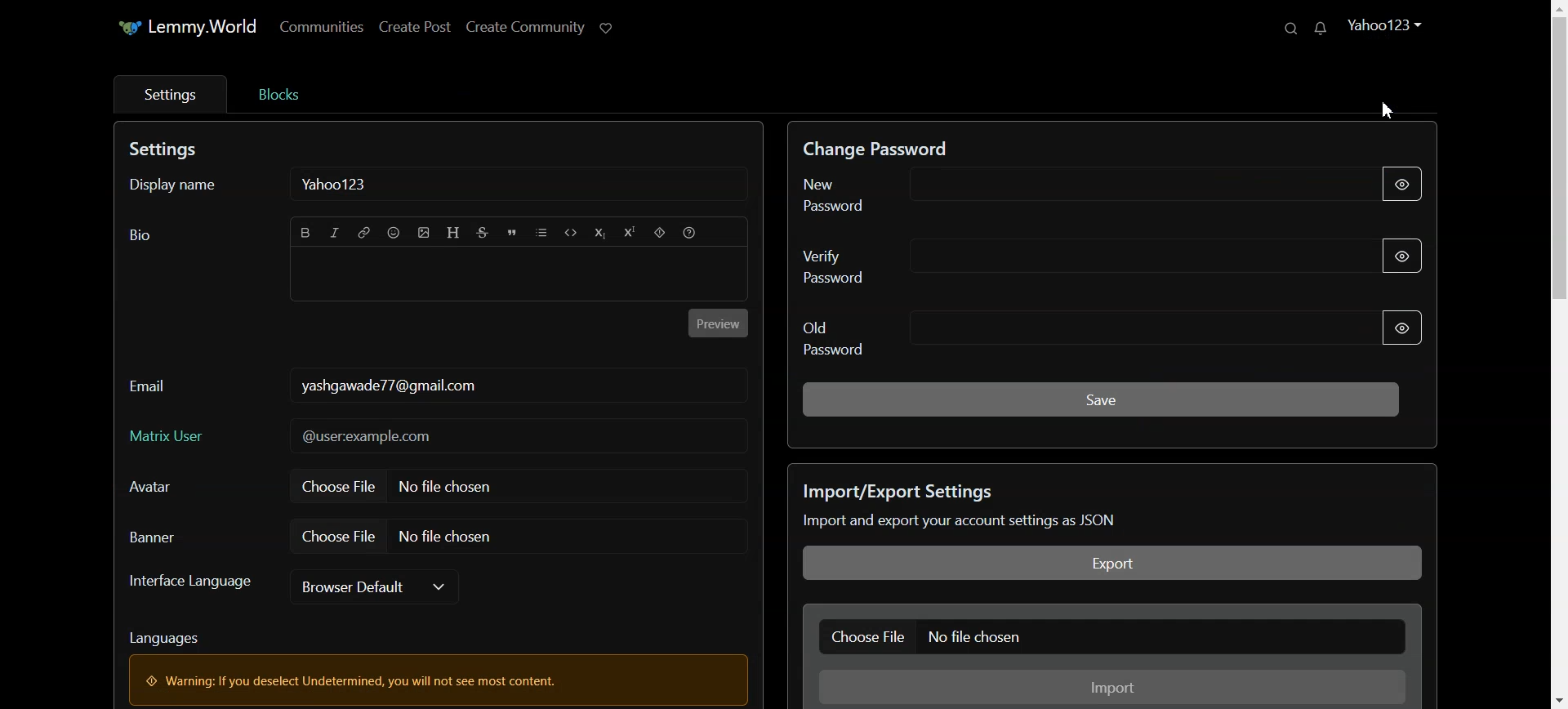  What do you see at coordinates (440, 665) in the screenshot?
I see `Text` at bounding box center [440, 665].